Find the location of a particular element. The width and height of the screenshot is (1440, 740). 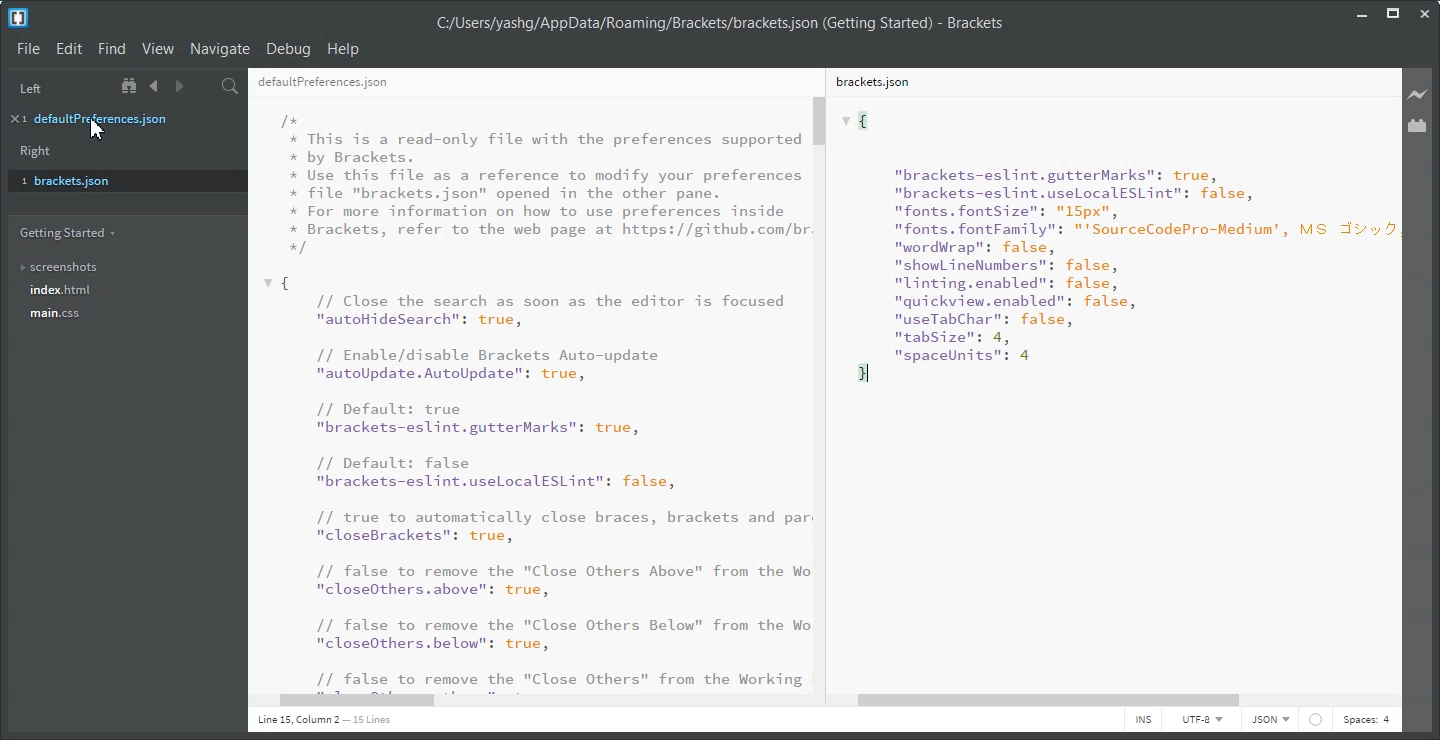

Navigate Backward is located at coordinates (154, 86).